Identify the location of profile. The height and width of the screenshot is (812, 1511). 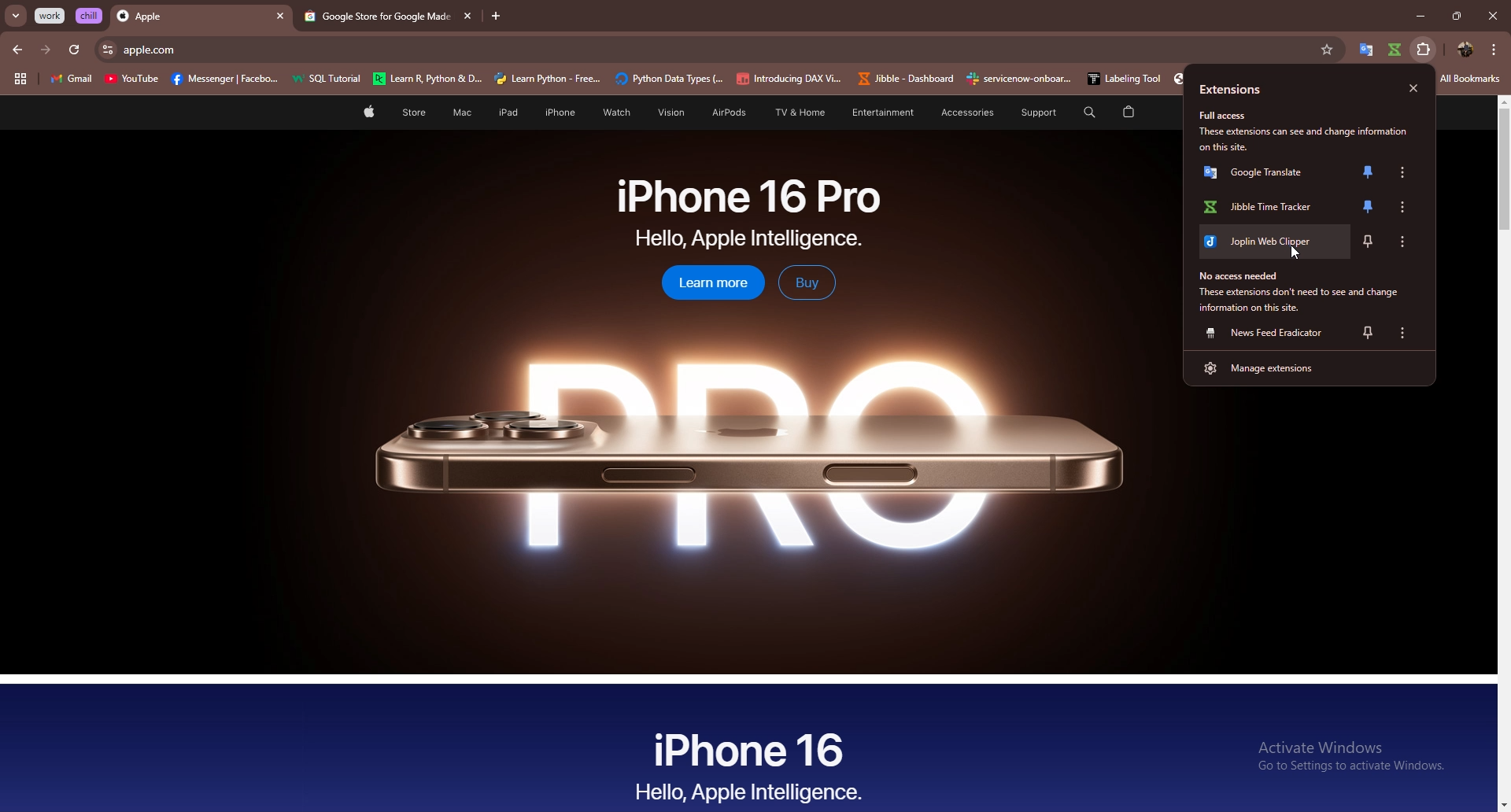
(1464, 50).